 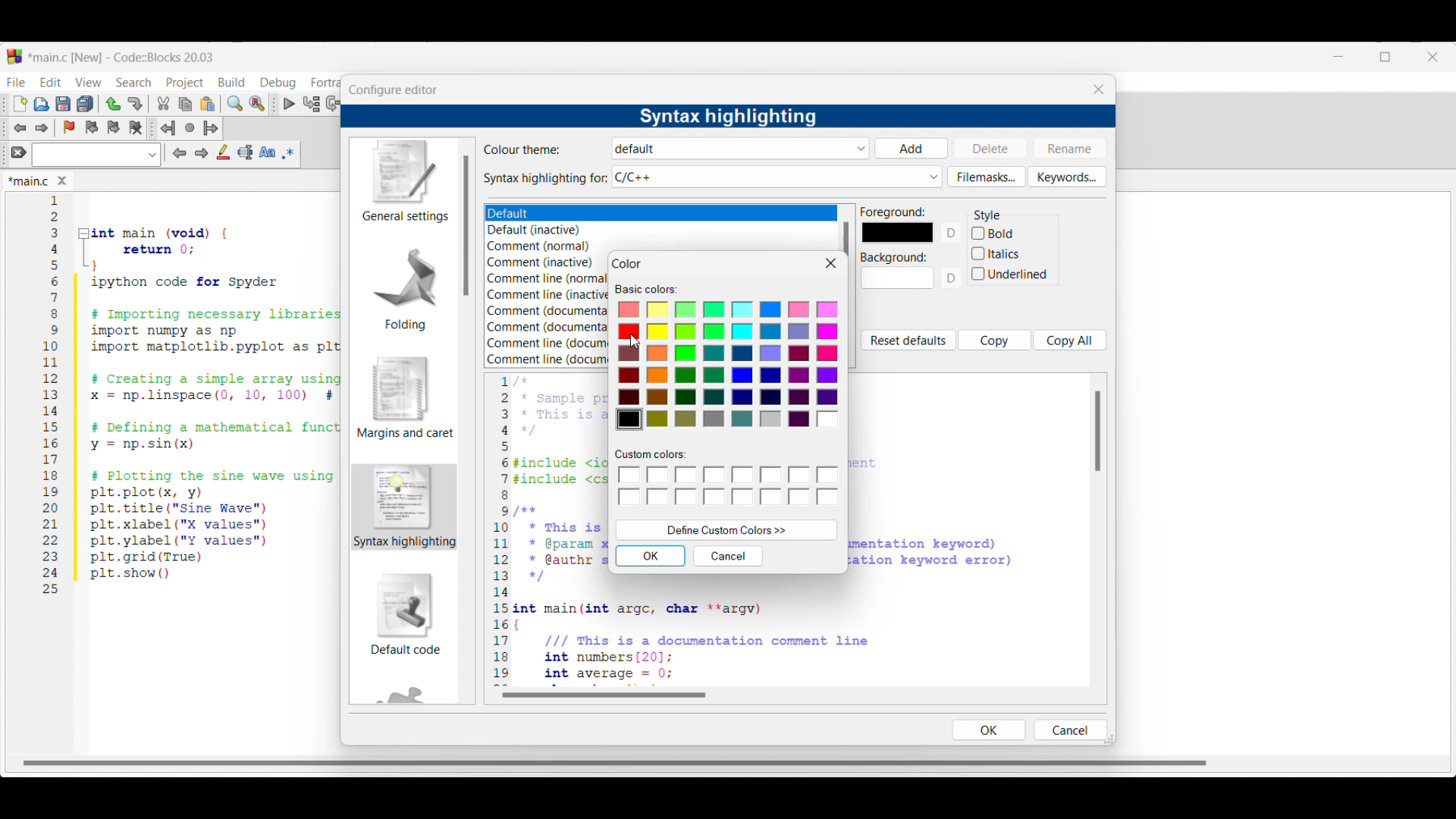 I want to click on Folding, so click(x=405, y=288).